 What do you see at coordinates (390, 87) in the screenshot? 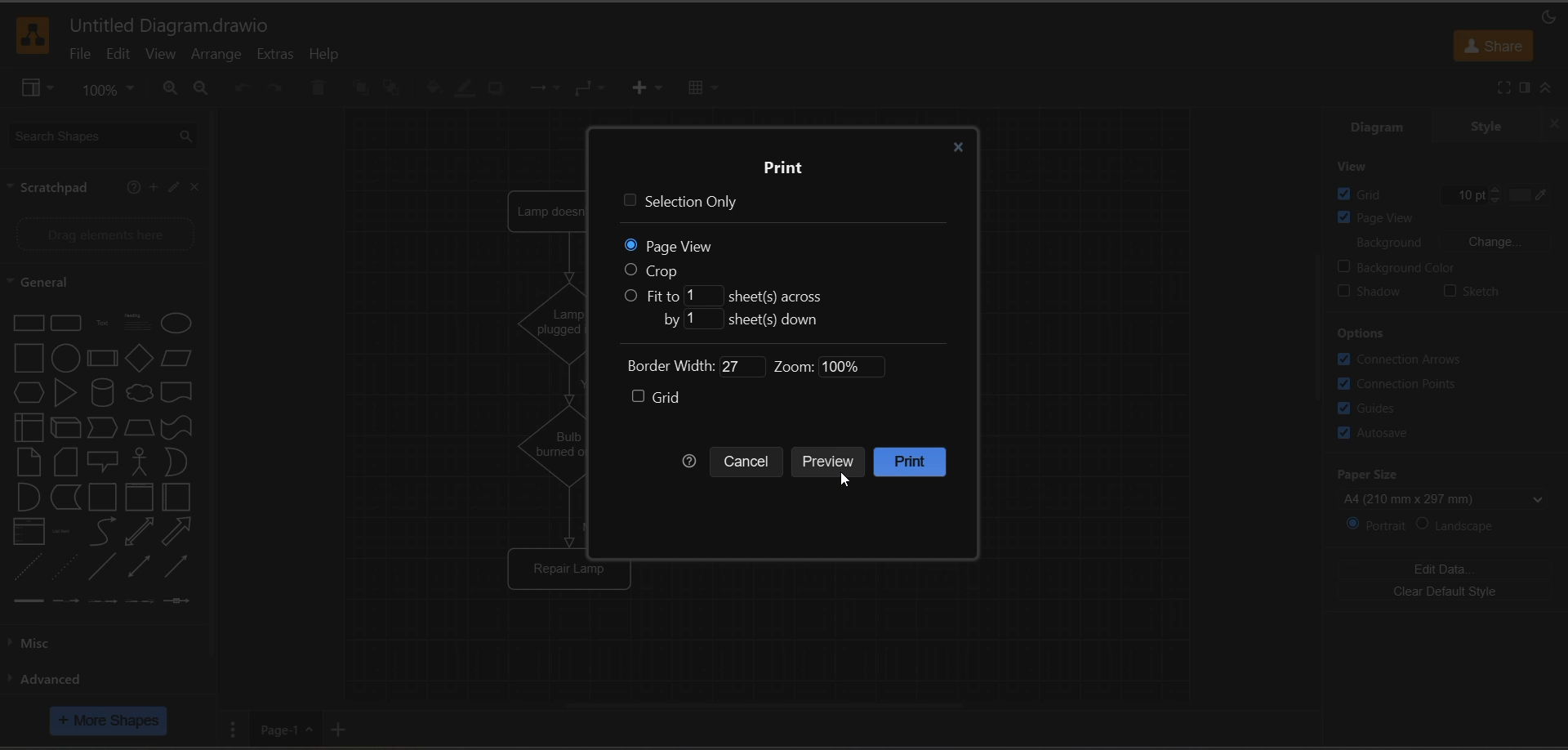
I see `to back` at bounding box center [390, 87].